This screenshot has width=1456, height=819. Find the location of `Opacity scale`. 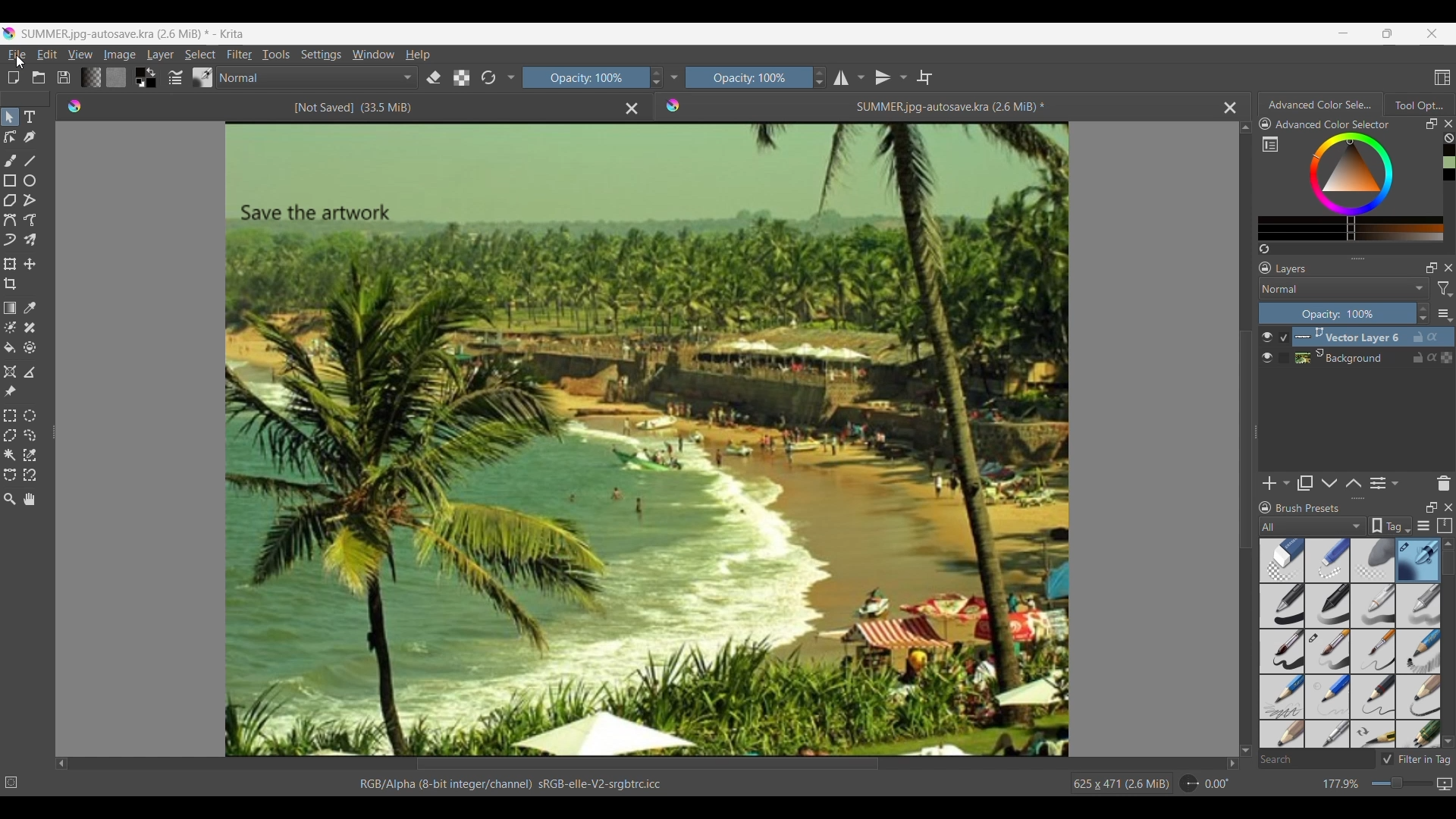

Opacity scale is located at coordinates (745, 77).